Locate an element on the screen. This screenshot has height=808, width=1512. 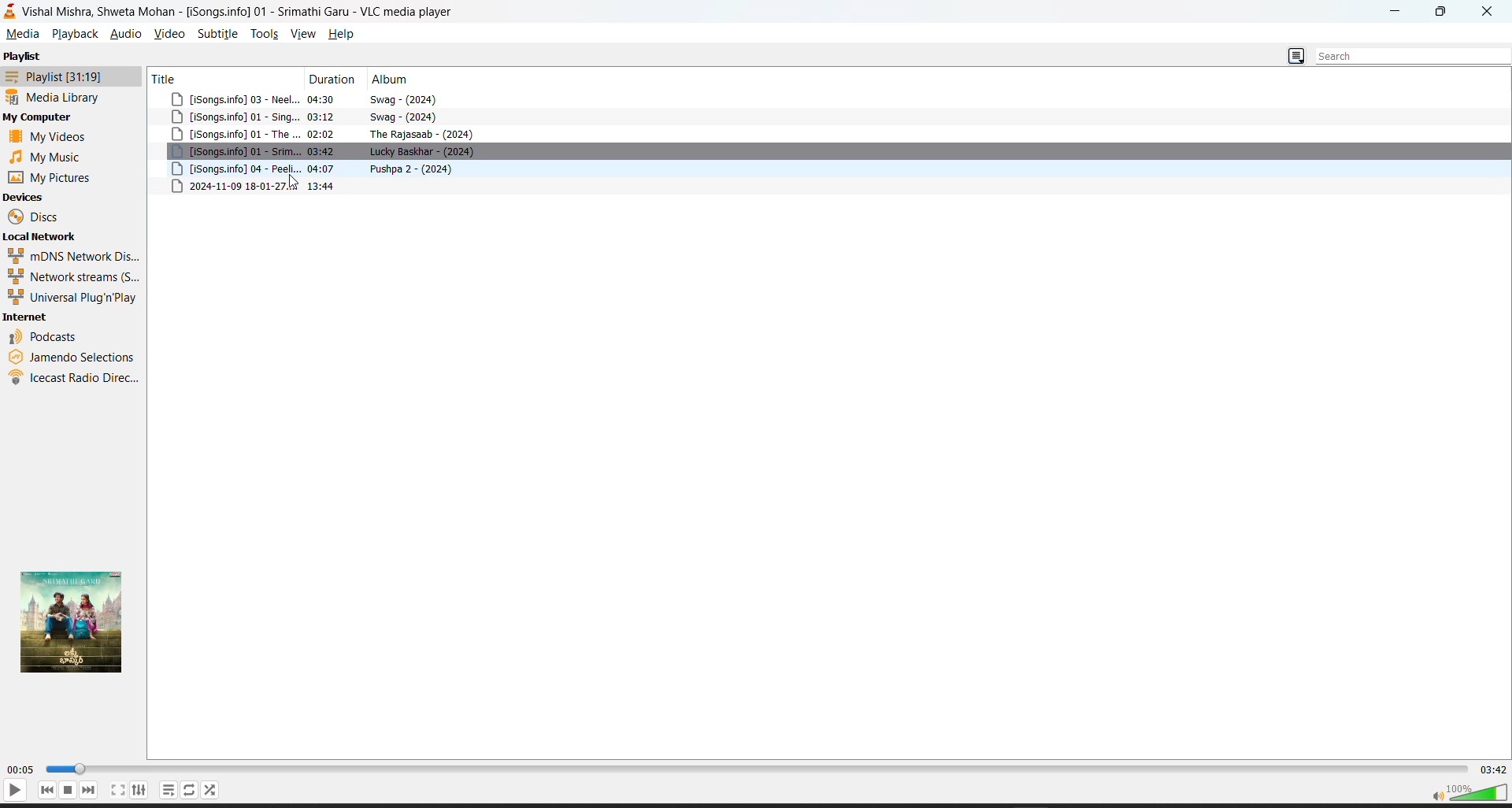
search is located at coordinates (1413, 54).